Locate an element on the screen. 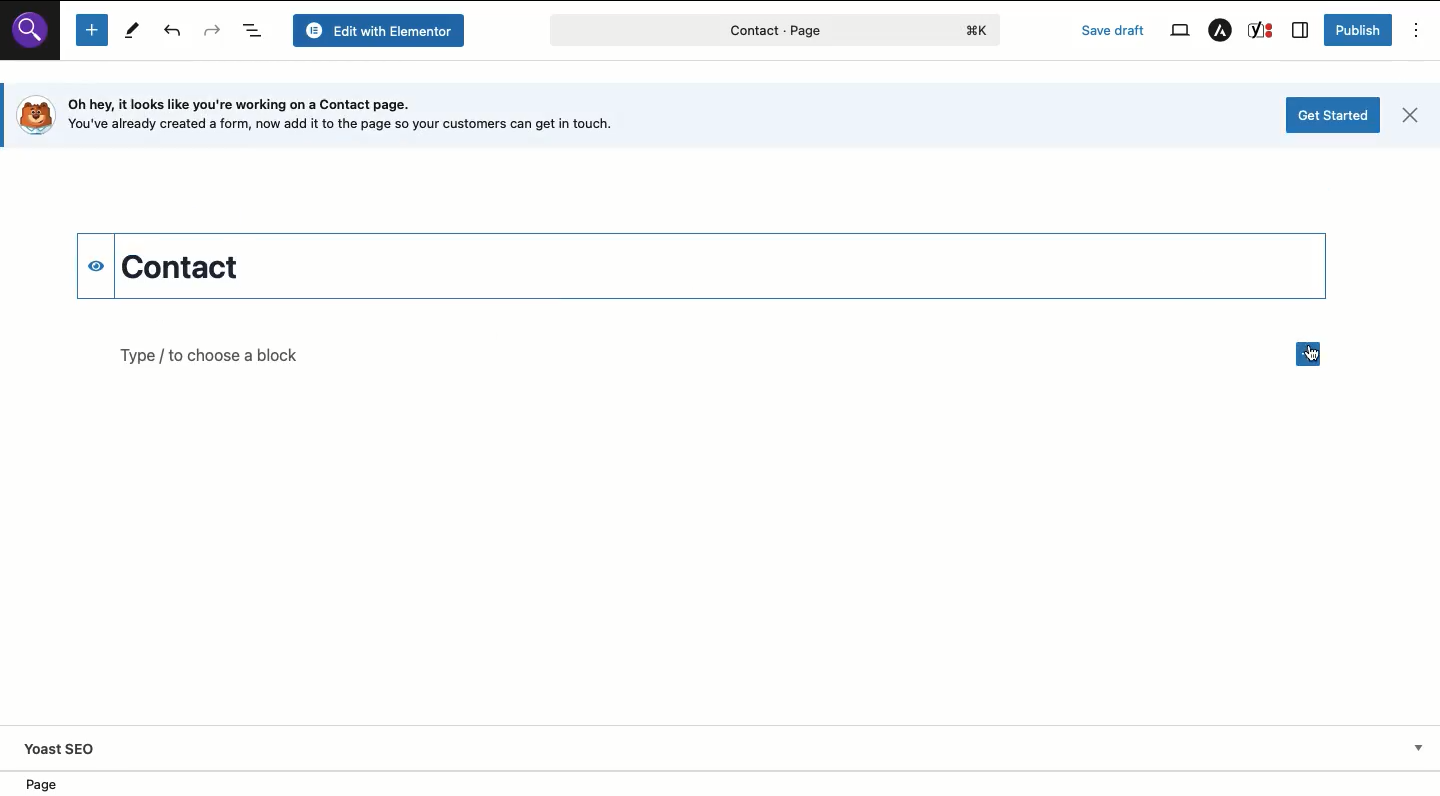 This screenshot has width=1440, height=796. Oh hey, it looks like you're working on a Contact page.
[o} You've already created a form, now add it to the page so your customers can get in touch. is located at coordinates (360, 117).